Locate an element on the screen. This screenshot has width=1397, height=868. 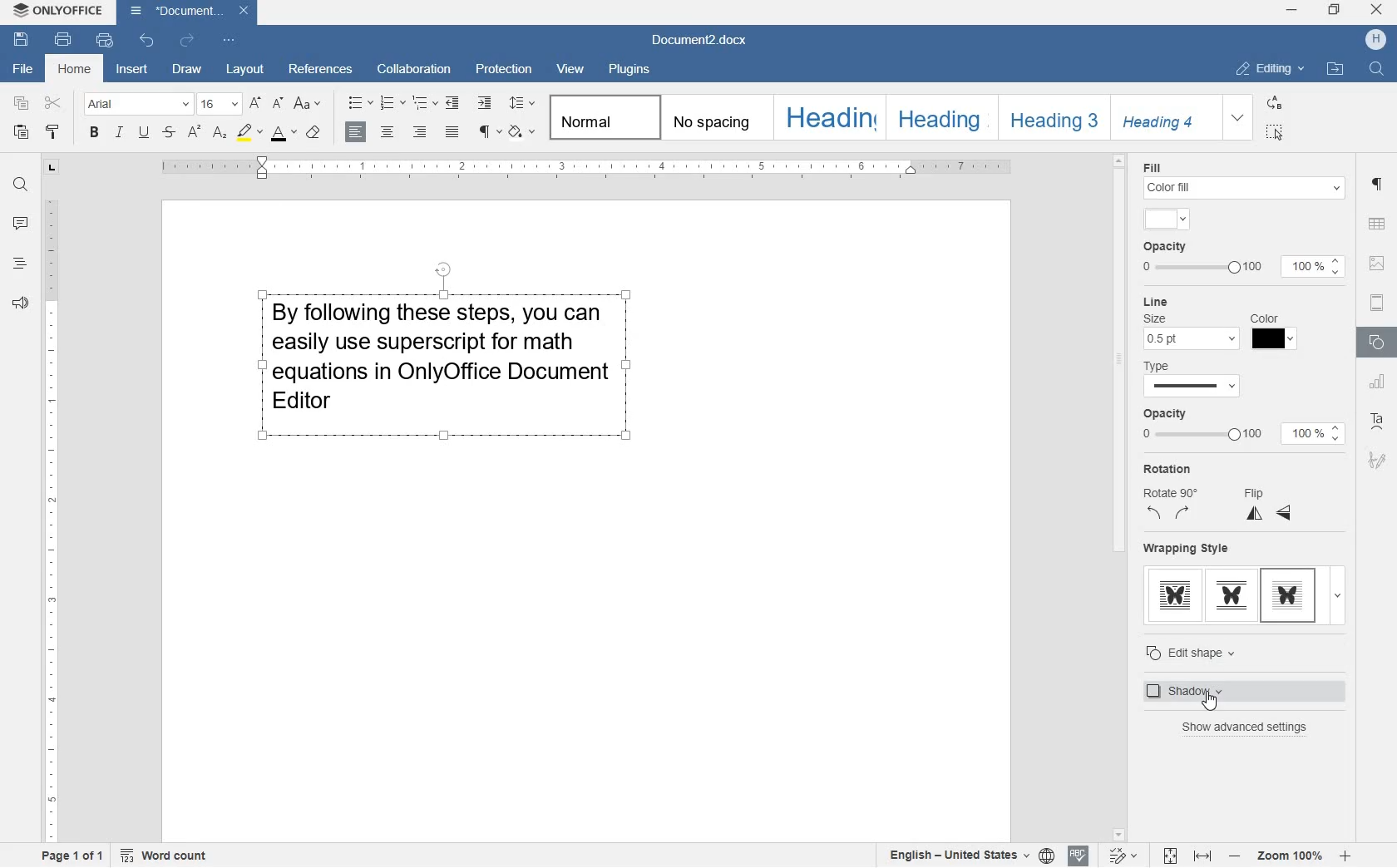
REPLACE is located at coordinates (1274, 102).